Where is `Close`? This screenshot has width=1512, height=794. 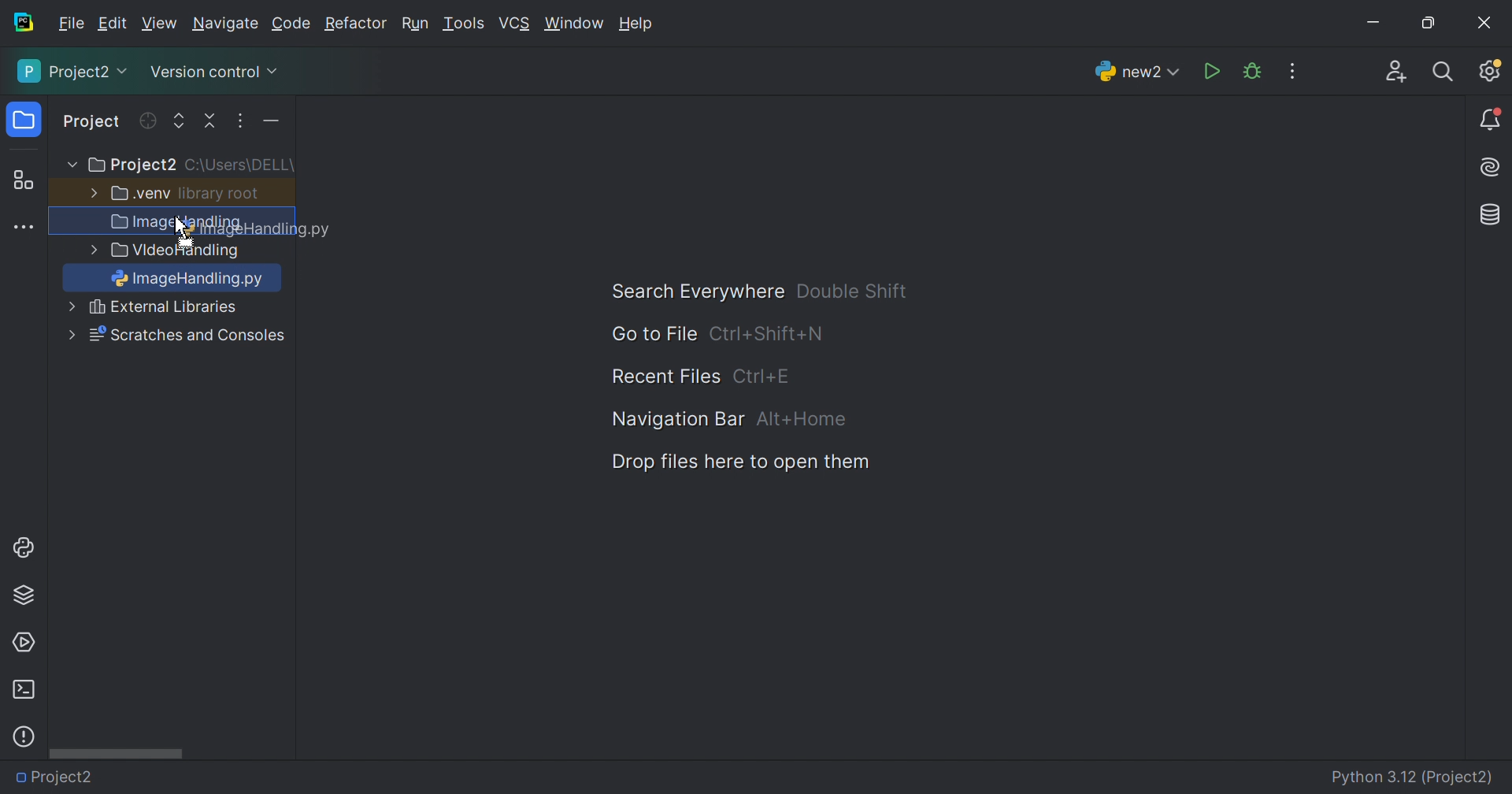
Close is located at coordinates (1484, 23).